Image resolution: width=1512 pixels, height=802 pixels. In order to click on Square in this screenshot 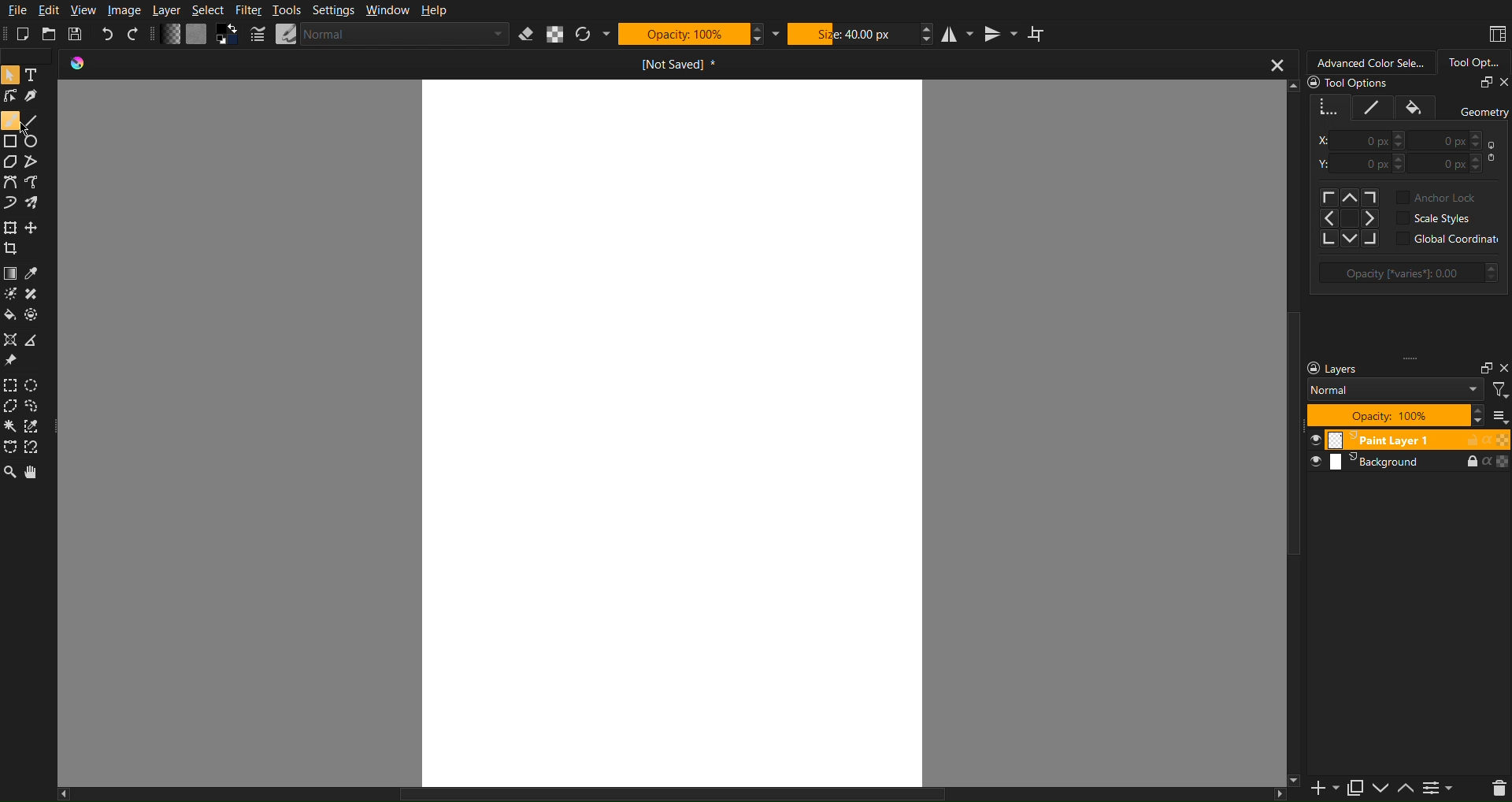, I will do `click(10, 141)`.